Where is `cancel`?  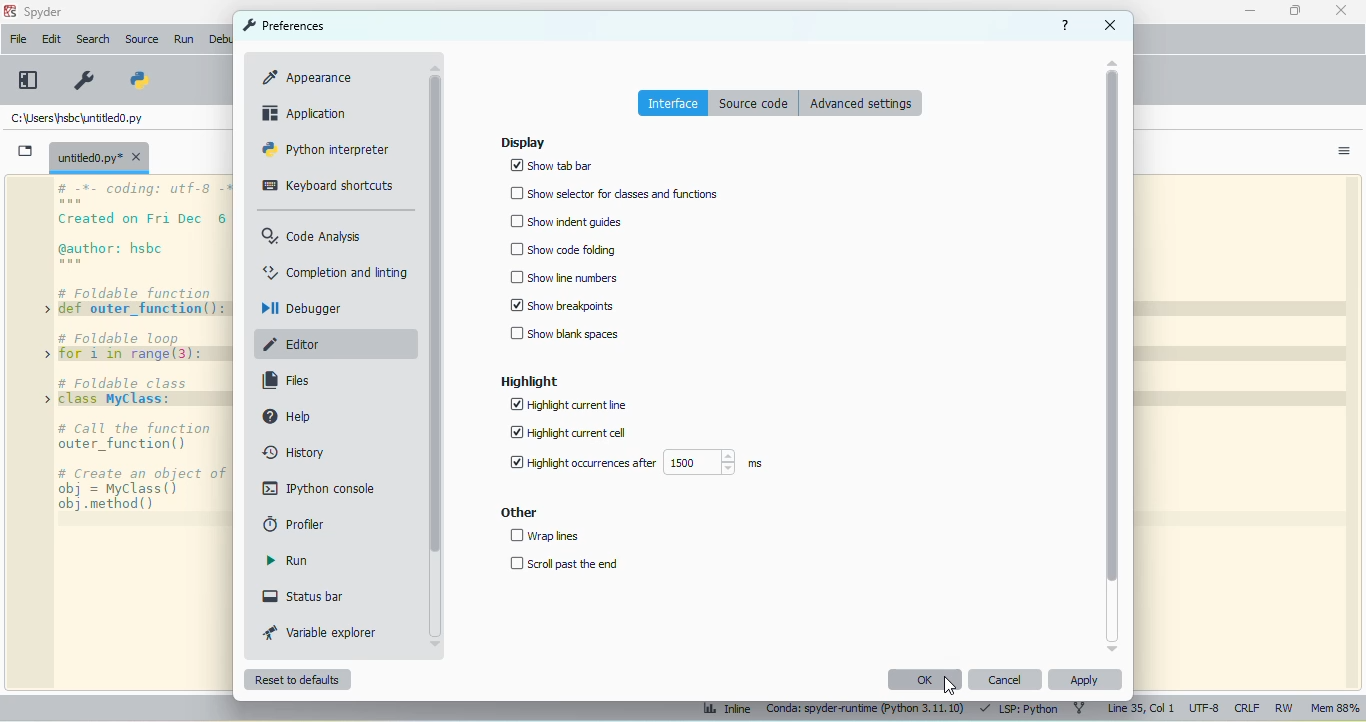 cancel is located at coordinates (1006, 679).